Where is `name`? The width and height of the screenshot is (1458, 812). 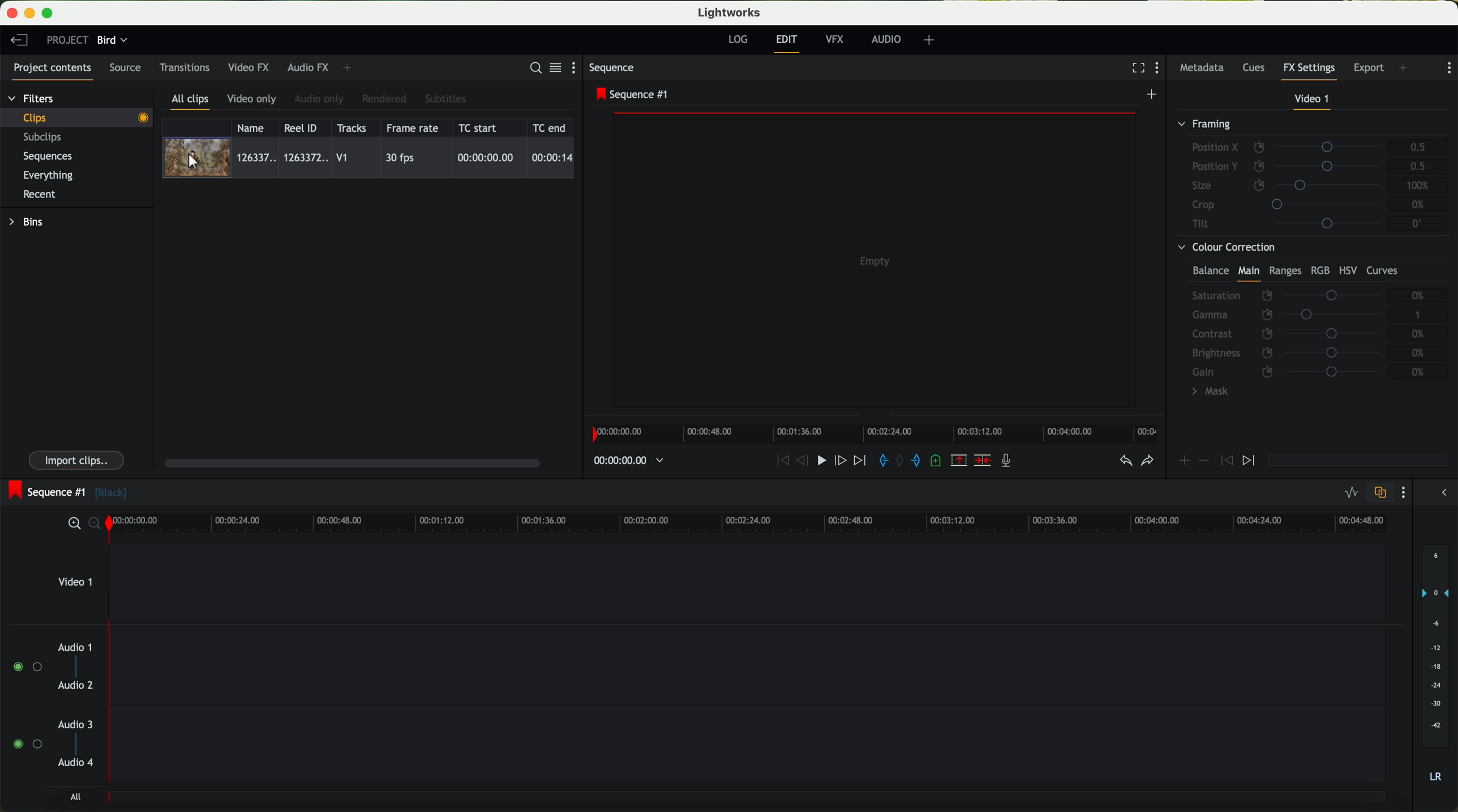 name is located at coordinates (255, 128).